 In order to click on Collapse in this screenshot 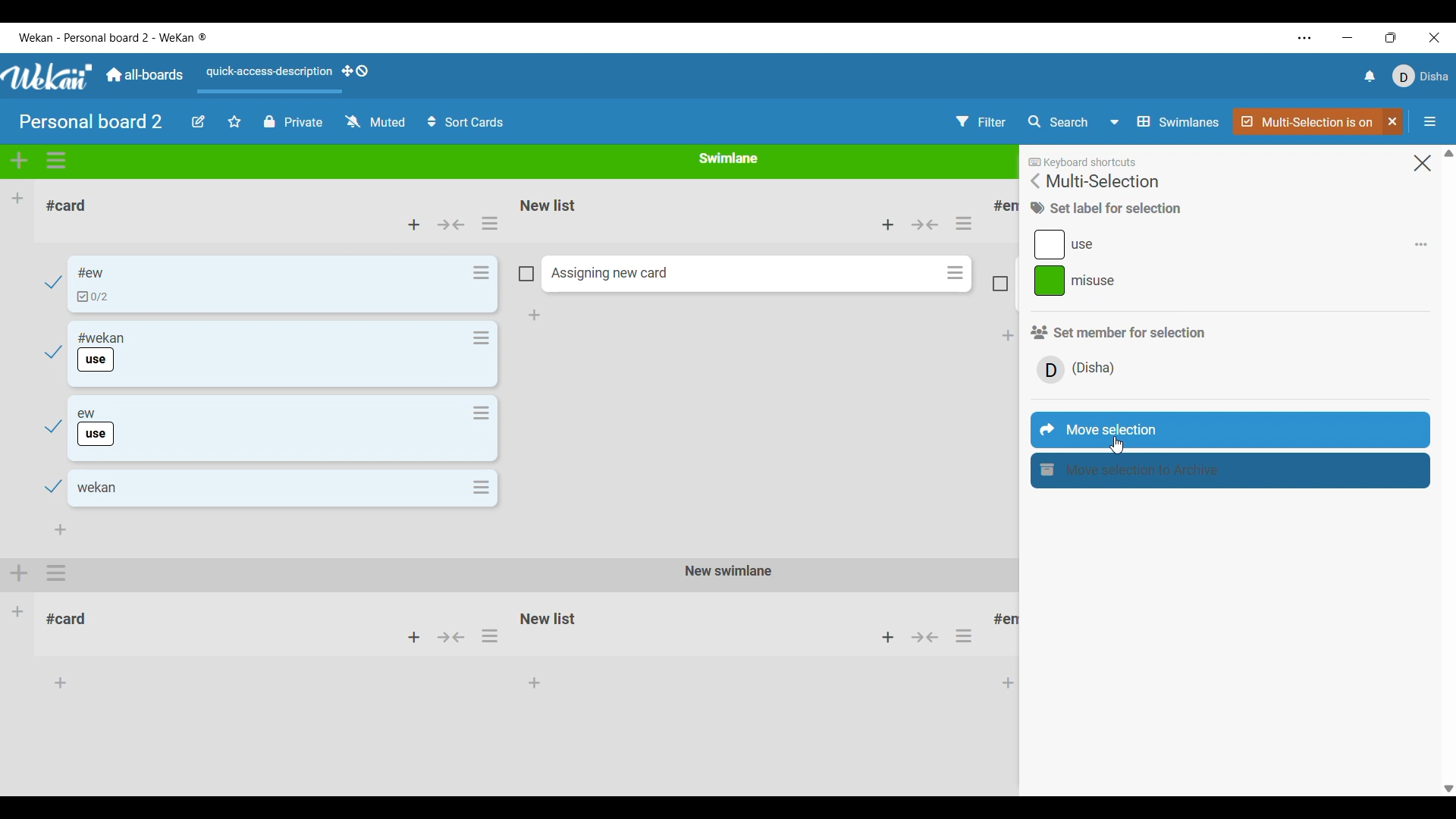, I will do `click(450, 224)`.